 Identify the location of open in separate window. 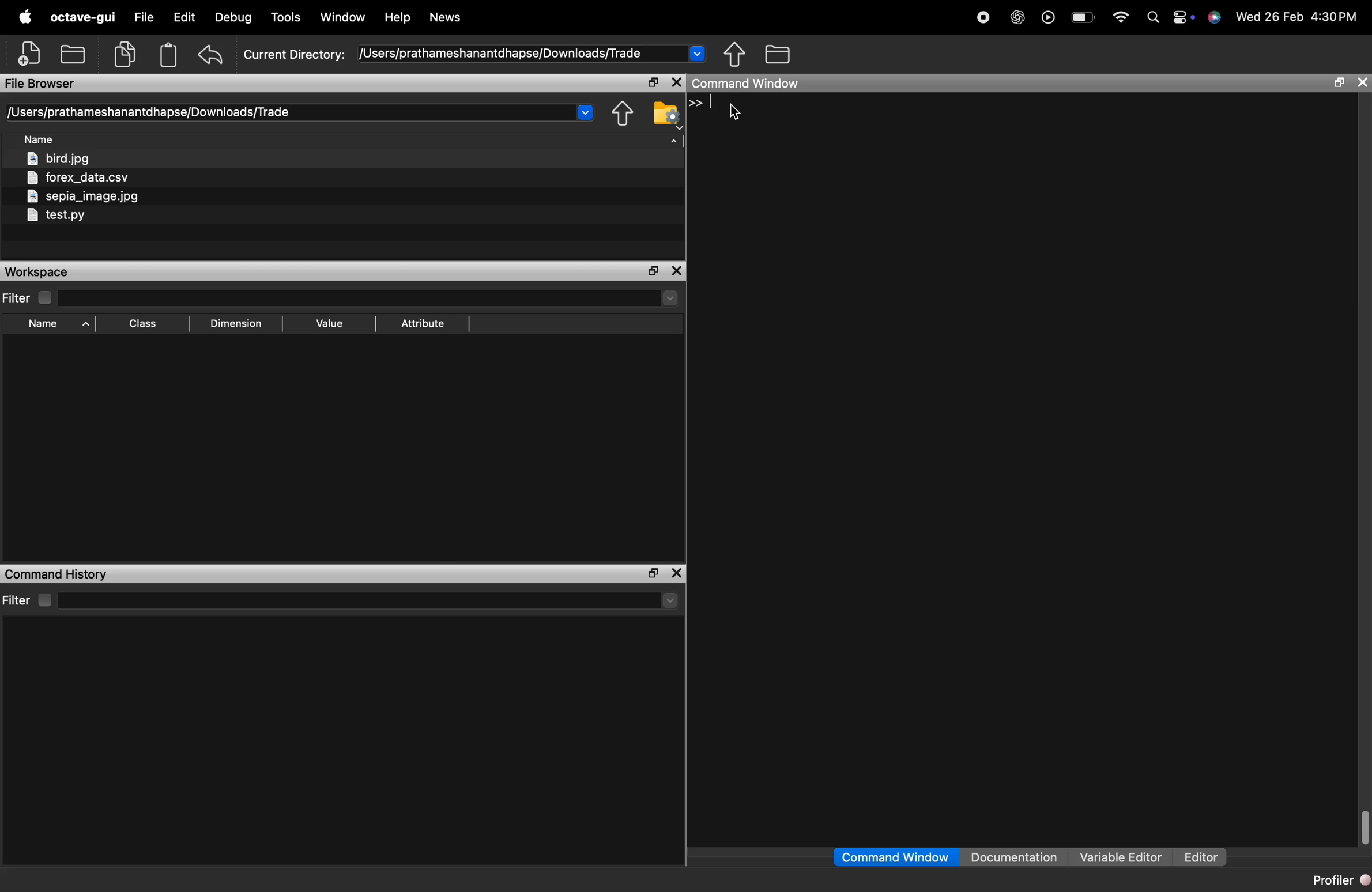
(653, 82).